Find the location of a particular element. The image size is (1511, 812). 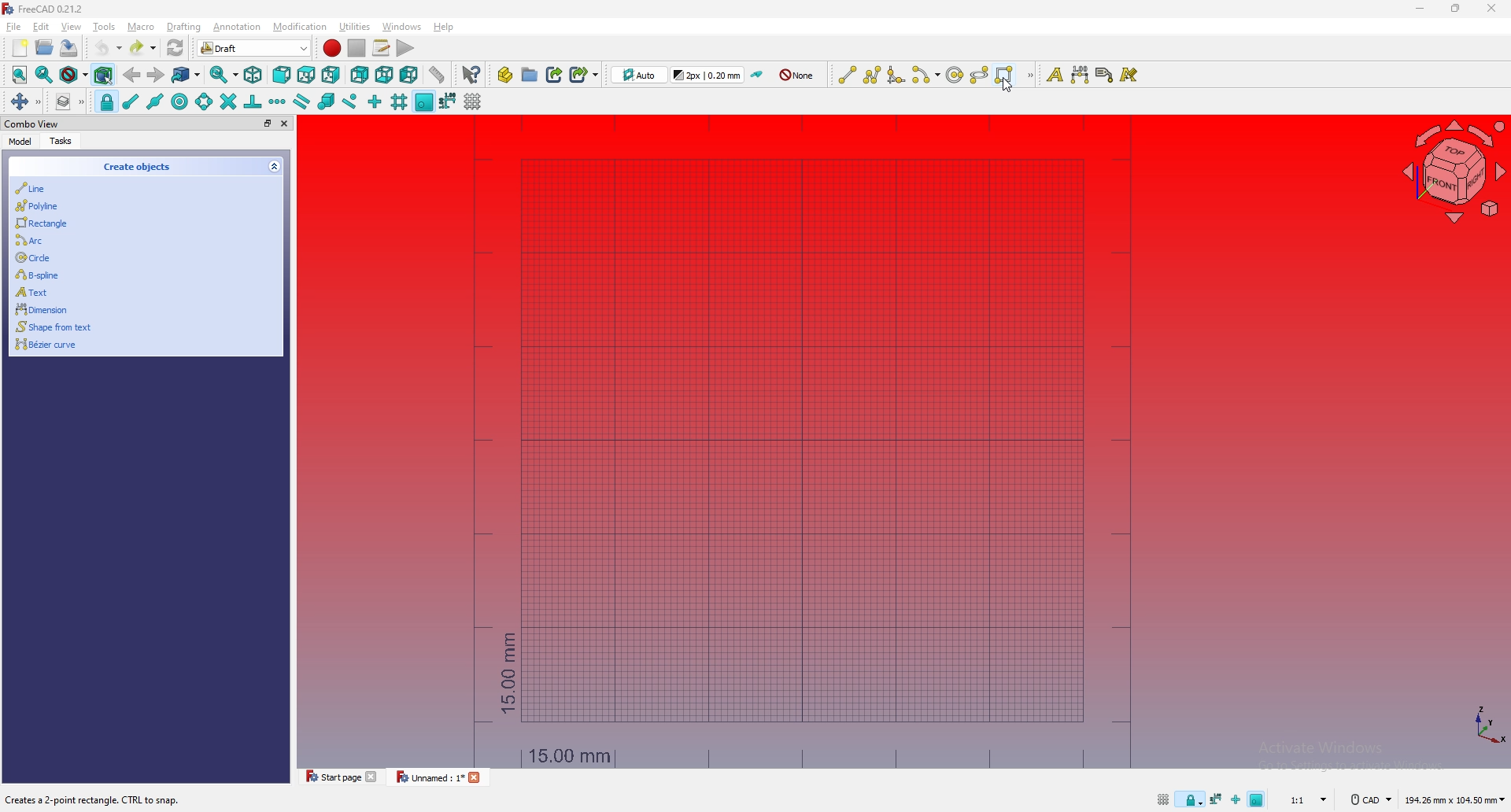

polyline is located at coordinates (139, 206).